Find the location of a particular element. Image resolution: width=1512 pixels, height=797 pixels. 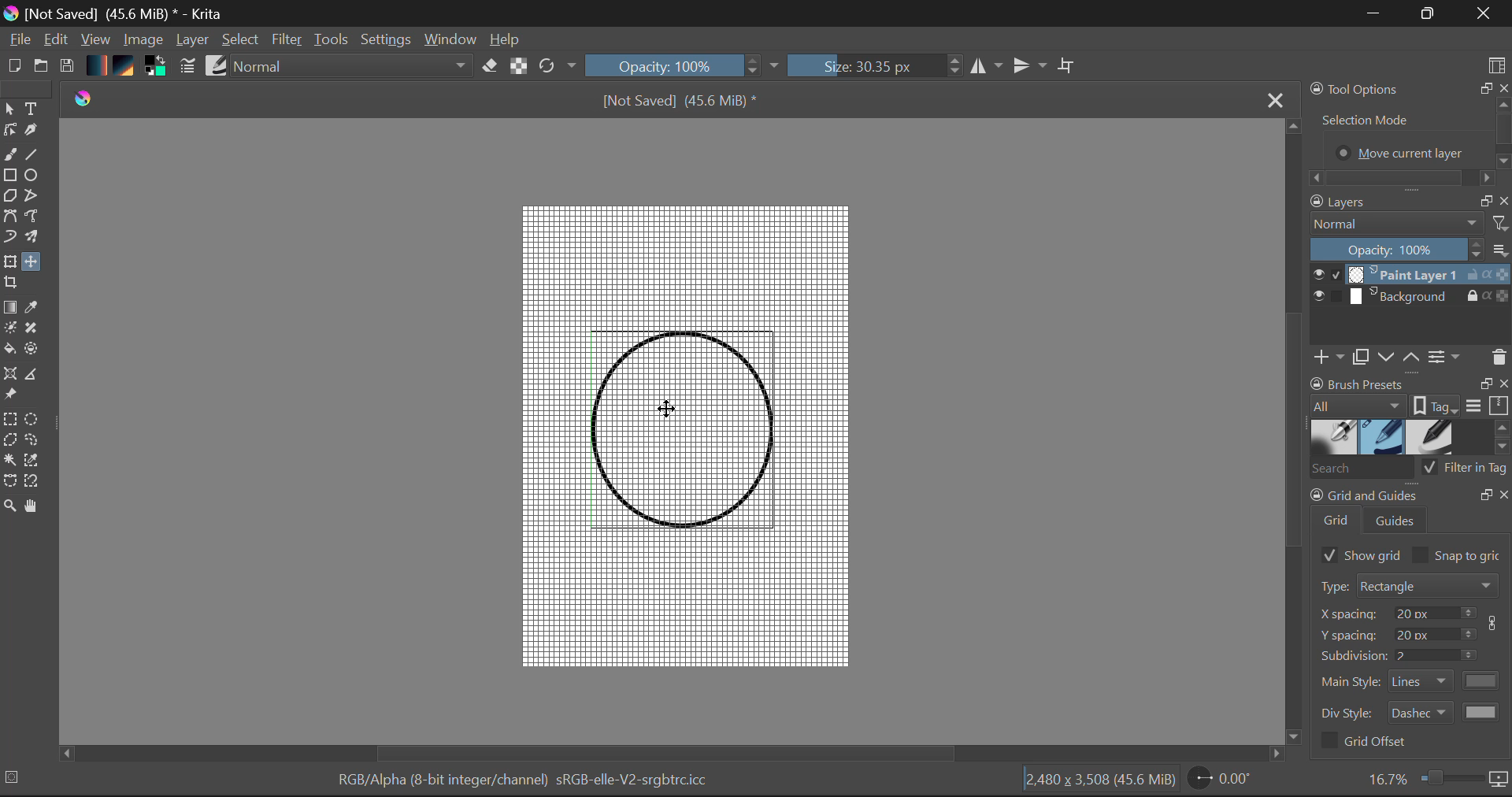

Select is located at coordinates (241, 40).